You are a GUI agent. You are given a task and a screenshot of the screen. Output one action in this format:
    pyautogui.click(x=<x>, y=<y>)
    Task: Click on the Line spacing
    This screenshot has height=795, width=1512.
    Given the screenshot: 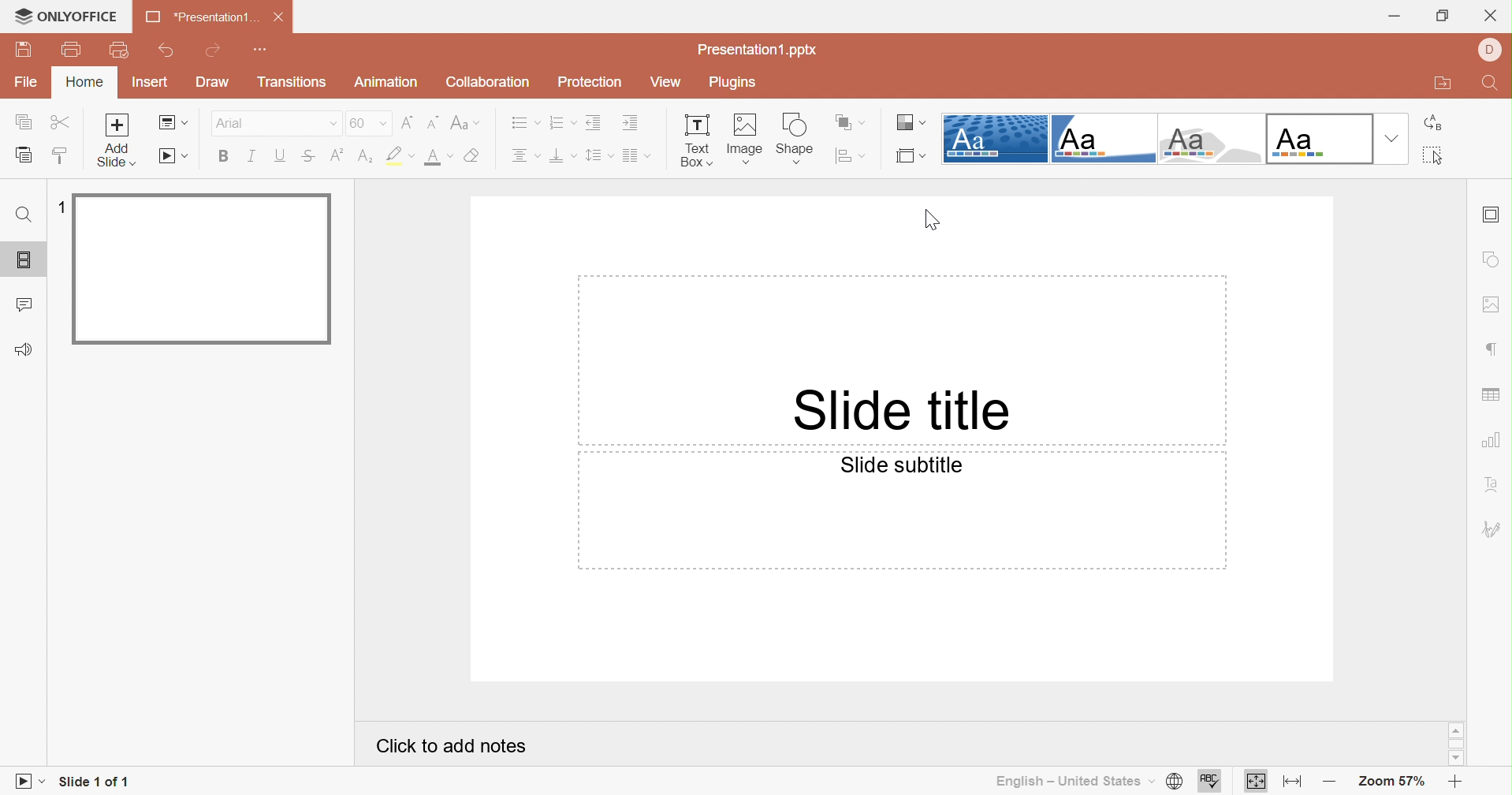 What is the action you would take?
    pyautogui.click(x=595, y=156)
    